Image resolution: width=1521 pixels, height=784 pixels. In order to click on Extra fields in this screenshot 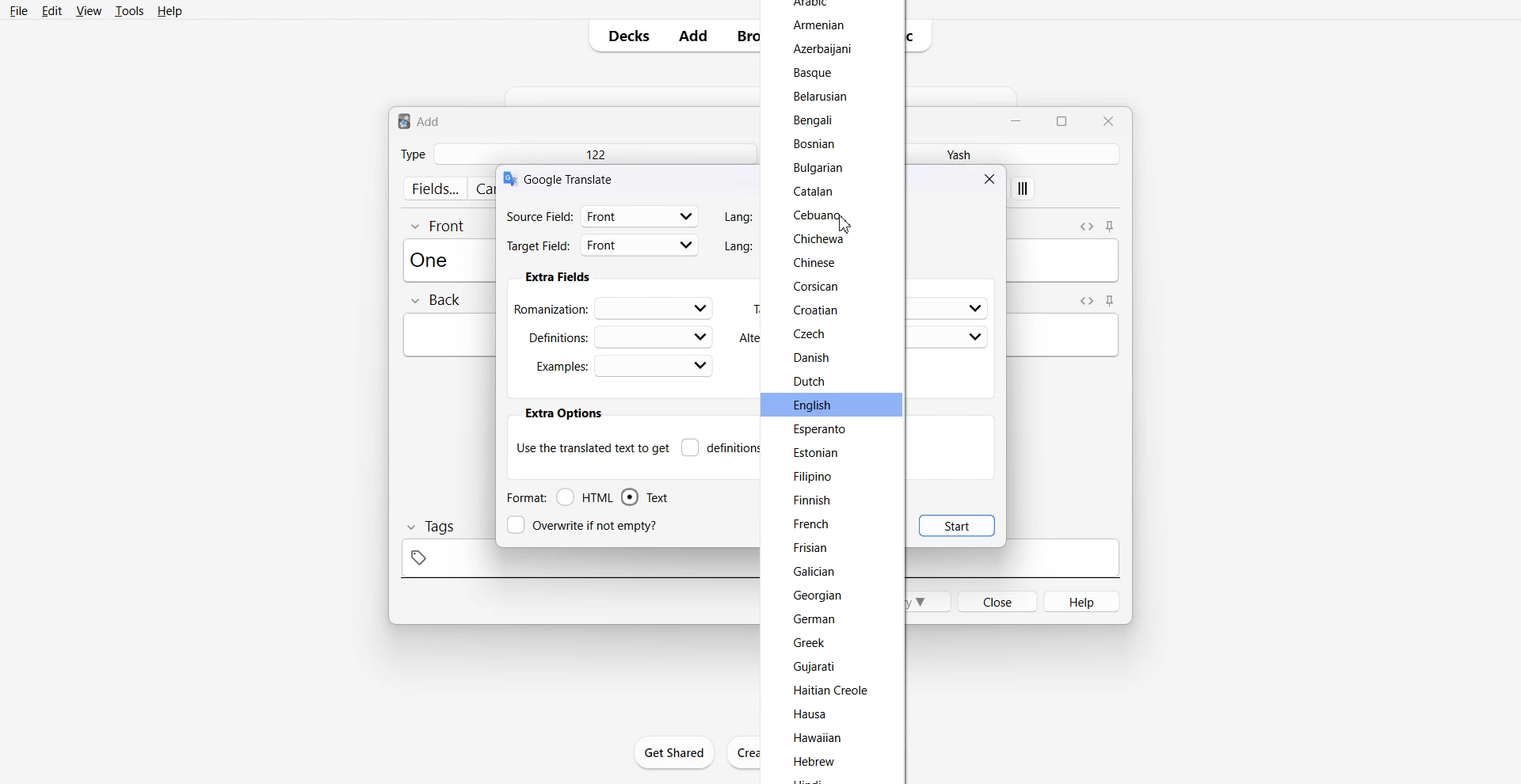, I will do `click(558, 277)`.